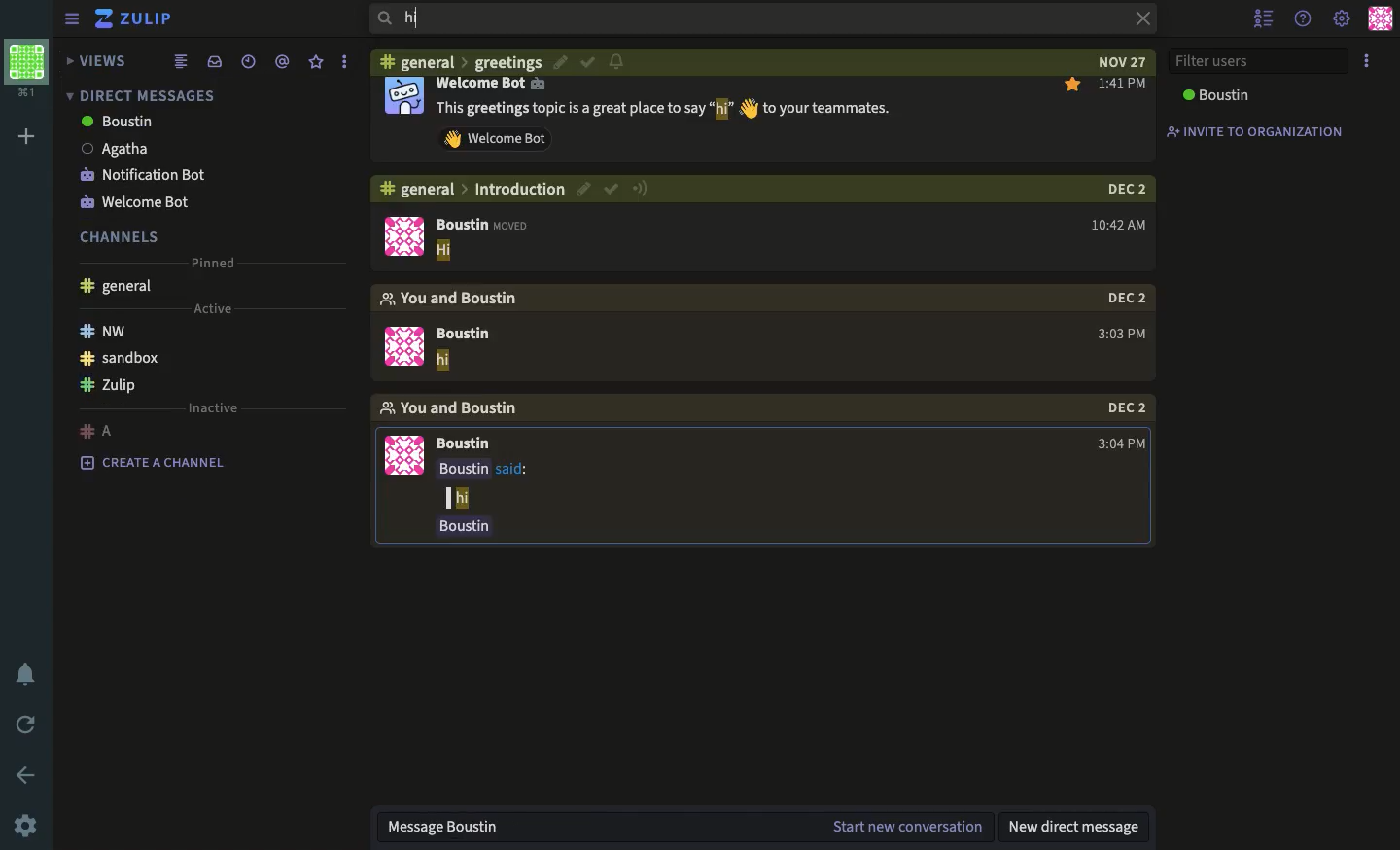  Describe the element at coordinates (28, 722) in the screenshot. I see `refresh ` at that location.